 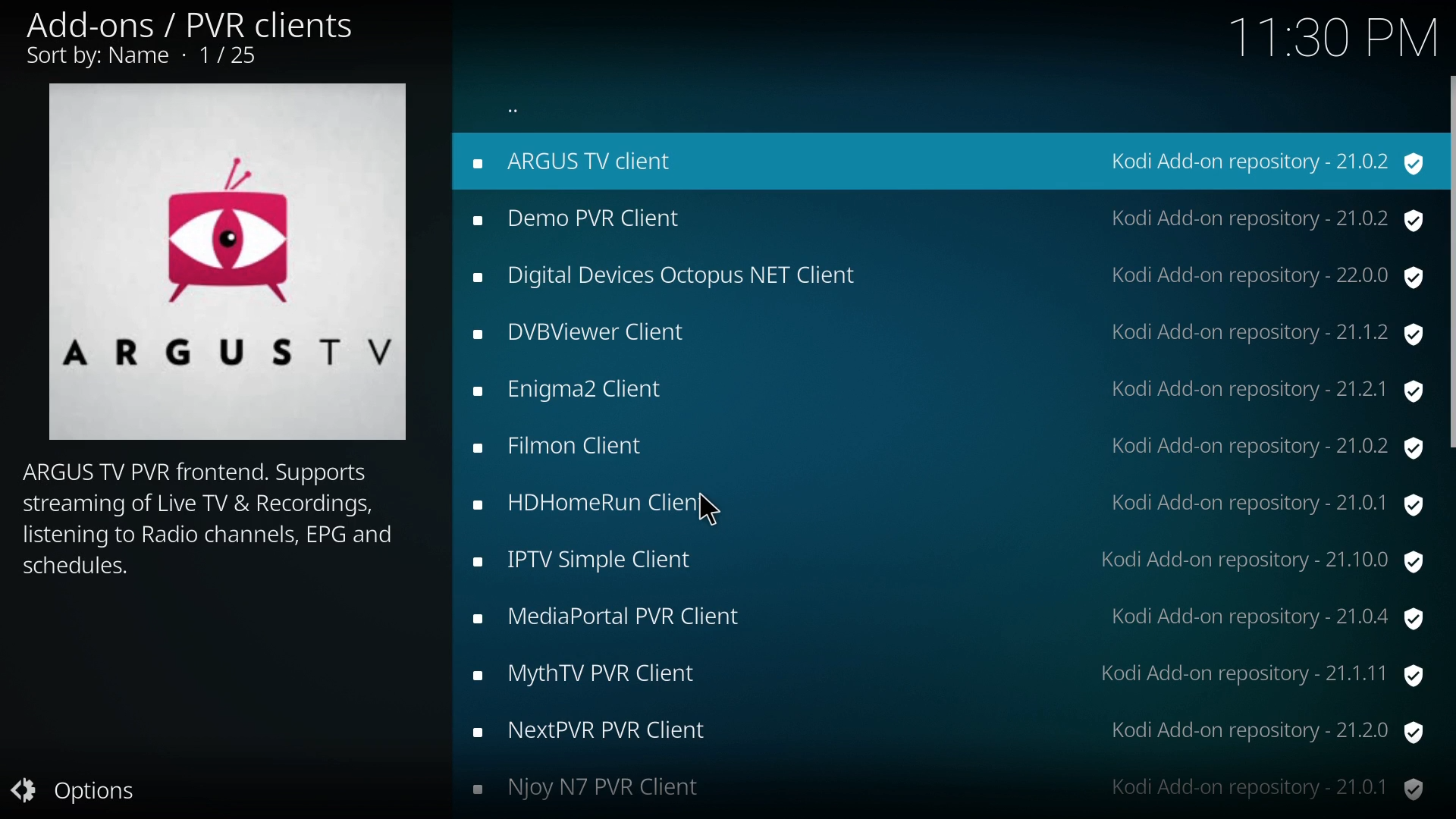 What do you see at coordinates (946, 334) in the screenshot?
I see `DVBViewer Client Kodi Add-on repository - 21.1.2` at bounding box center [946, 334].